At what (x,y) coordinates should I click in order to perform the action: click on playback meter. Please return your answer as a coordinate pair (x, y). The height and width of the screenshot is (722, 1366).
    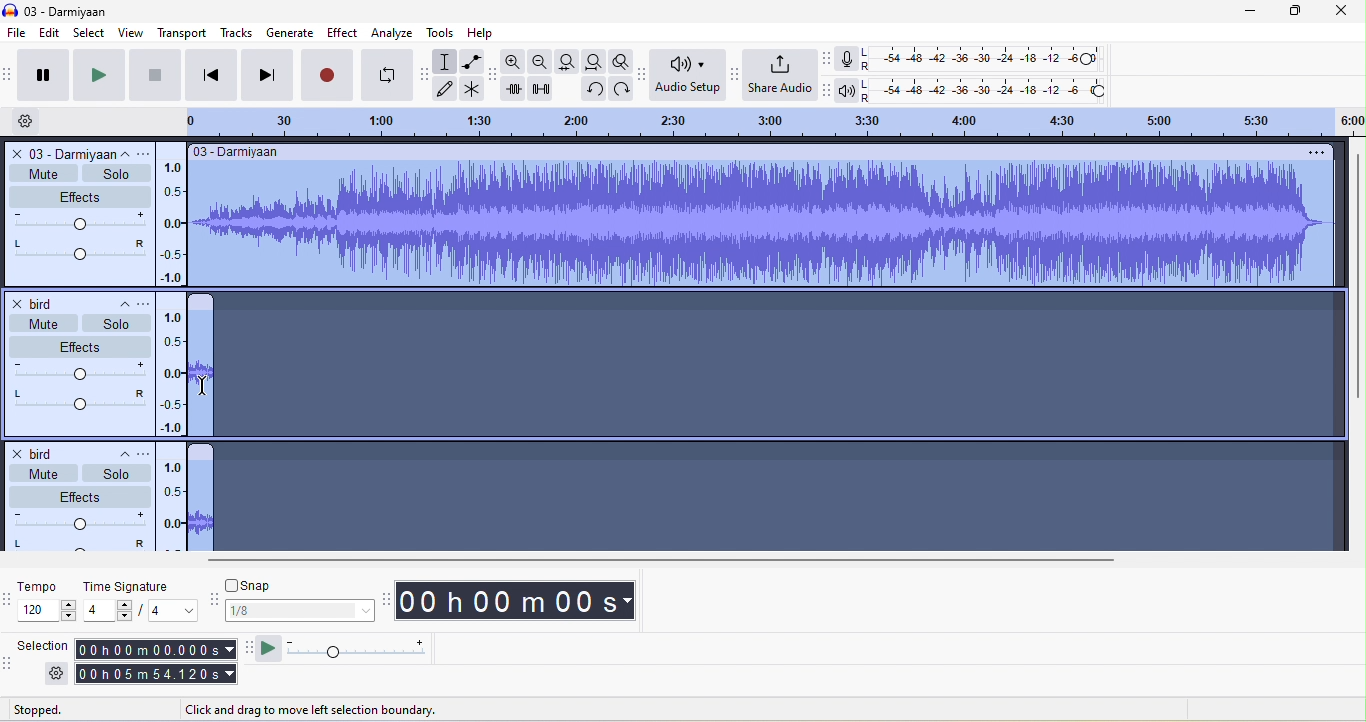
    Looking at the image, I should click on (853, 90).